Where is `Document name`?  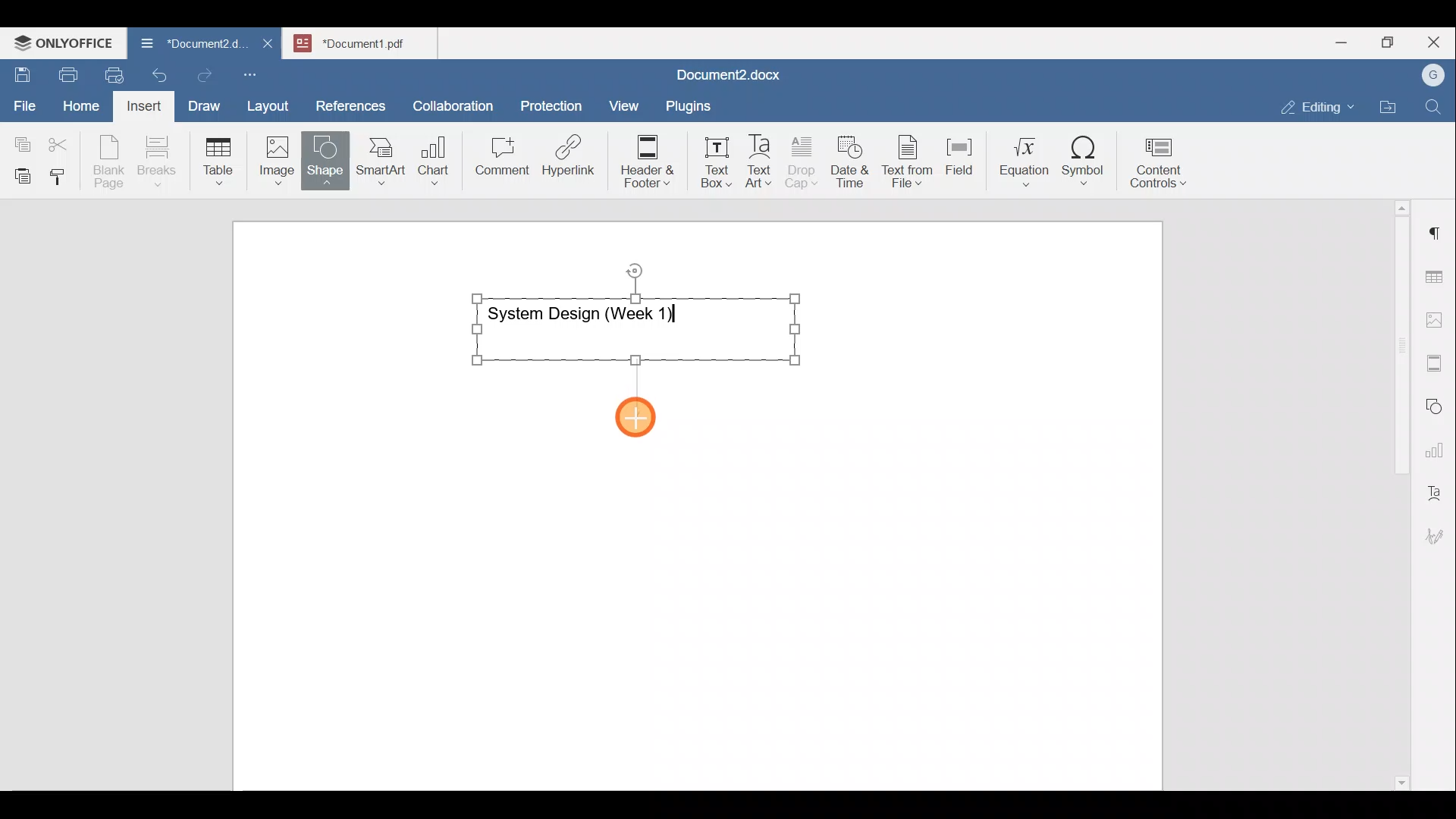 Document name is located at coordinates (725, 77).